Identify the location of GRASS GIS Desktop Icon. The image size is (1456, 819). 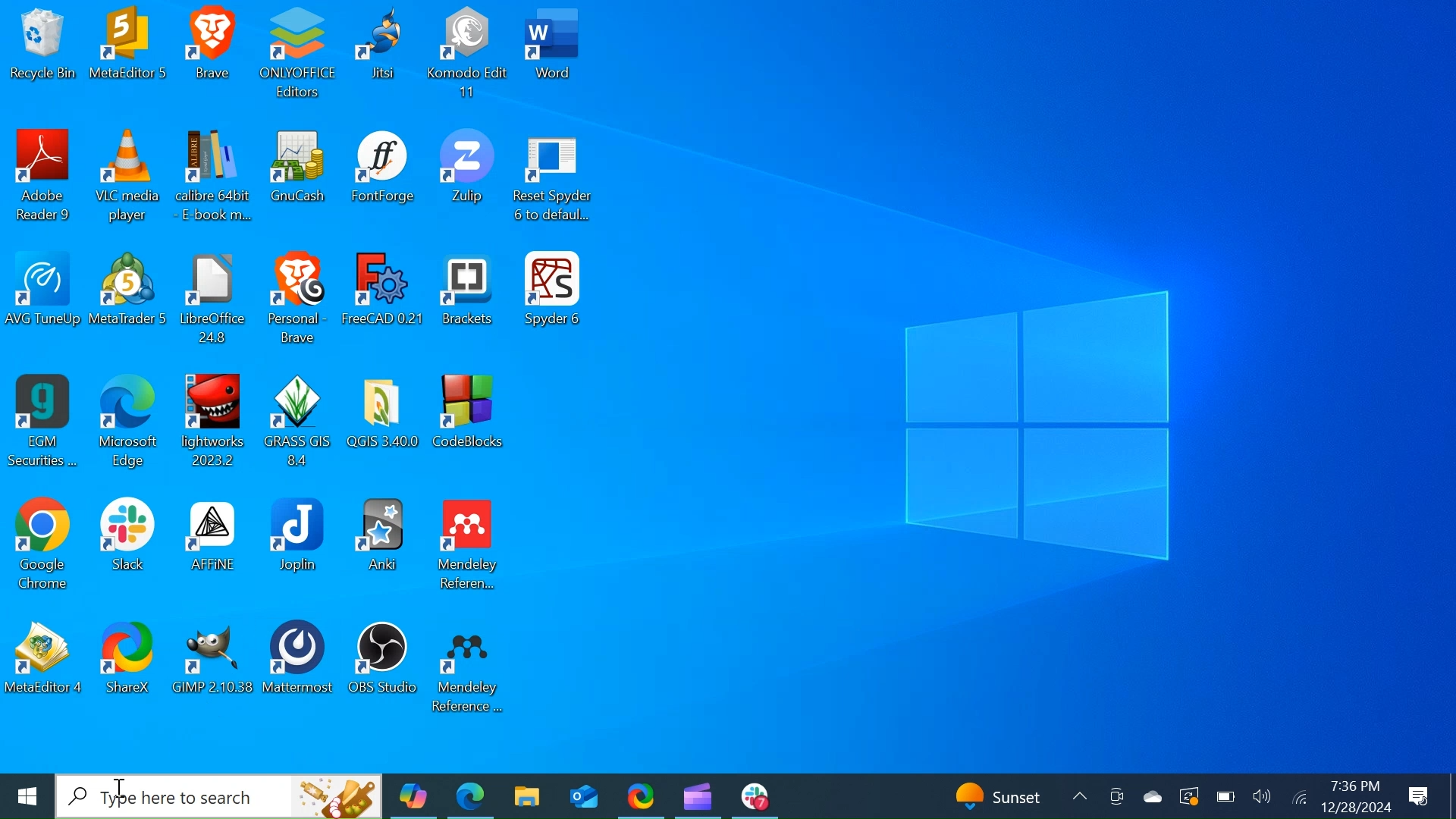
(297, 422).